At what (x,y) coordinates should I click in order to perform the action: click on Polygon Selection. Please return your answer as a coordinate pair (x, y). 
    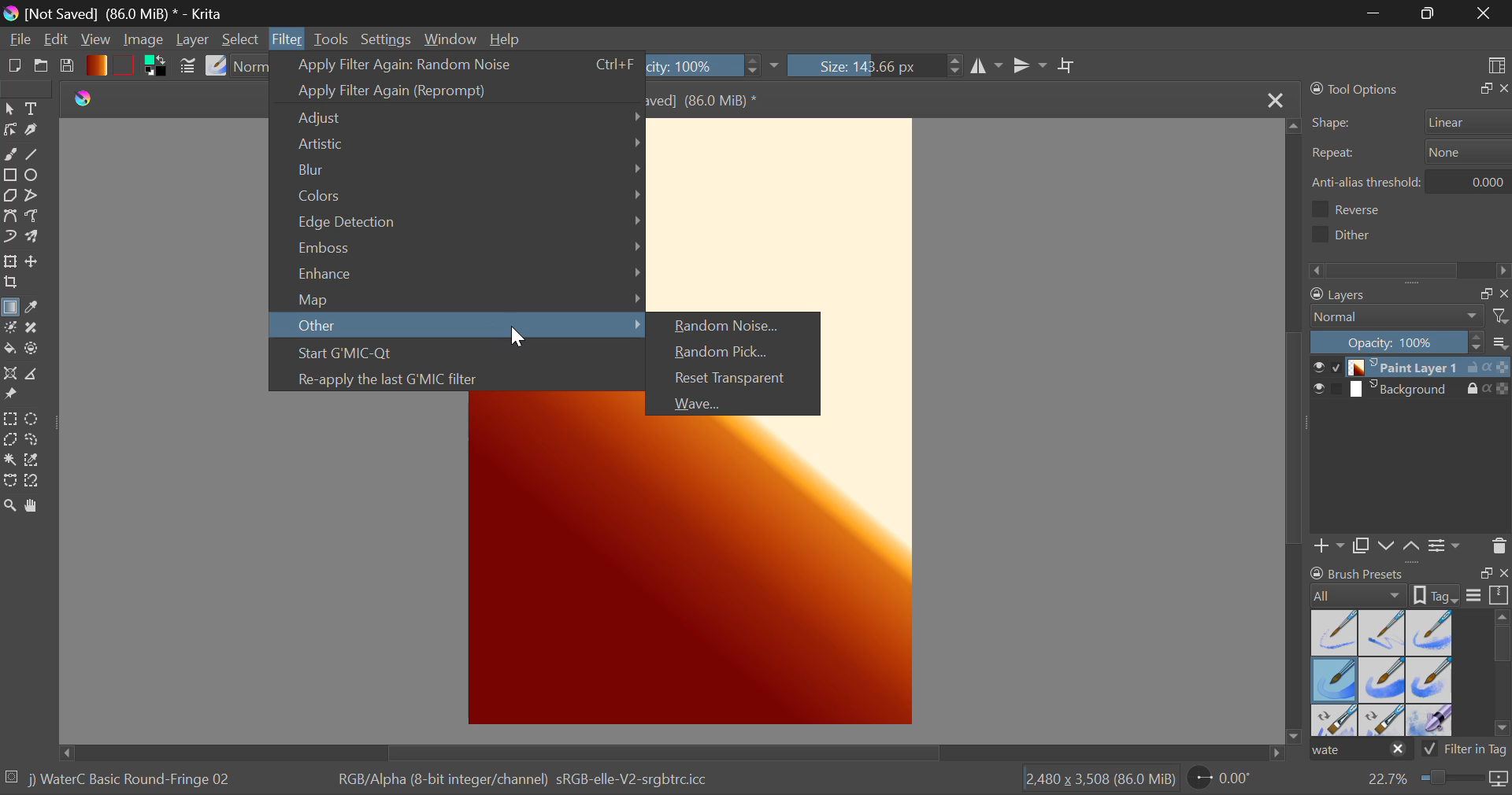
    Looking at the image, I should click on (10, 442).